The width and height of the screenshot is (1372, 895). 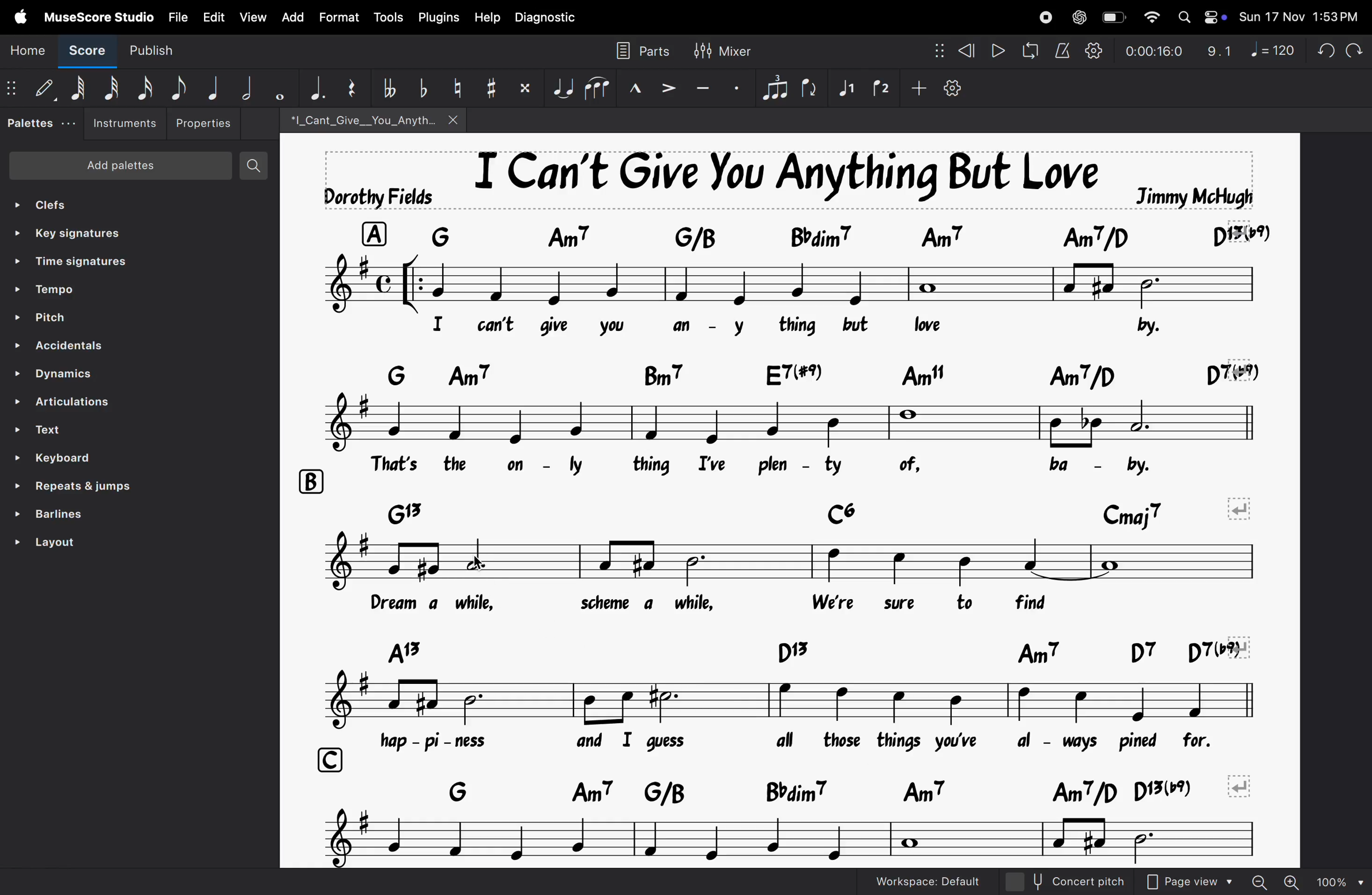 I want to click on tuplet, so click(x=777, y=86).